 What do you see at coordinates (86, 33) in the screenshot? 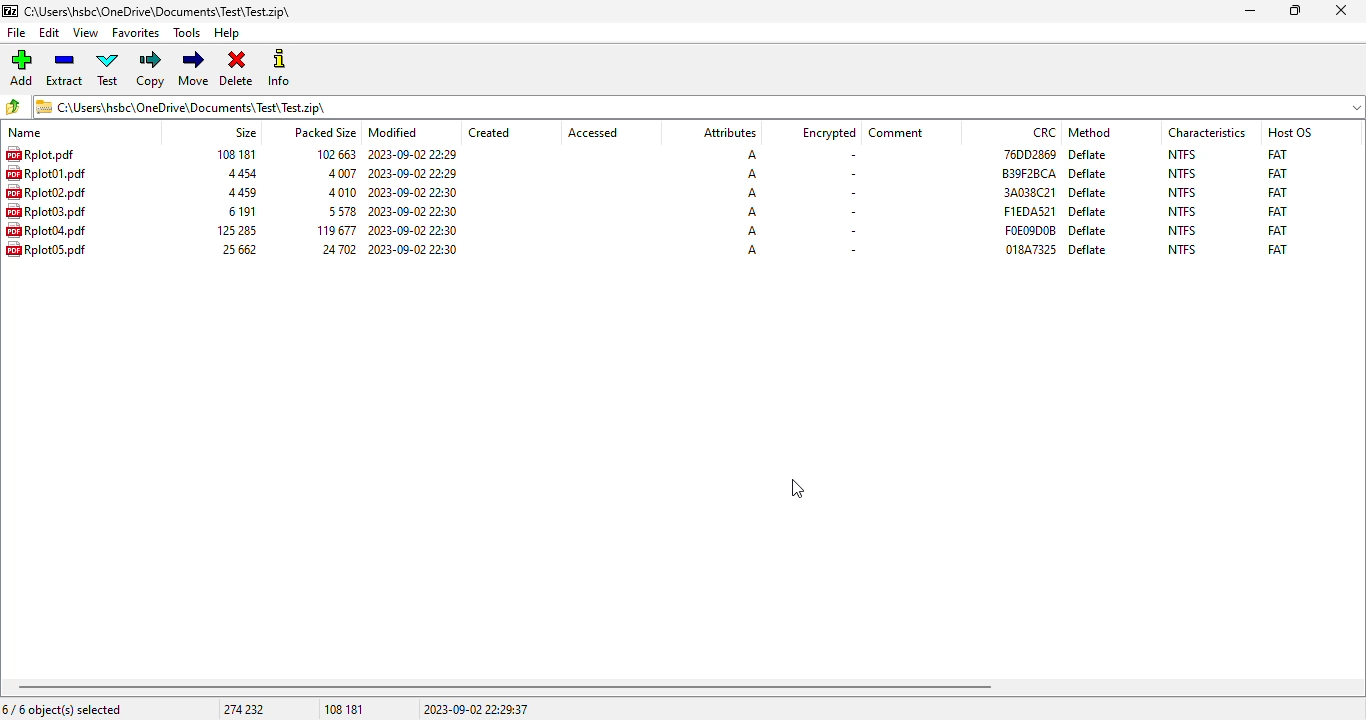
I see `view` at bounding box center [86, 33].